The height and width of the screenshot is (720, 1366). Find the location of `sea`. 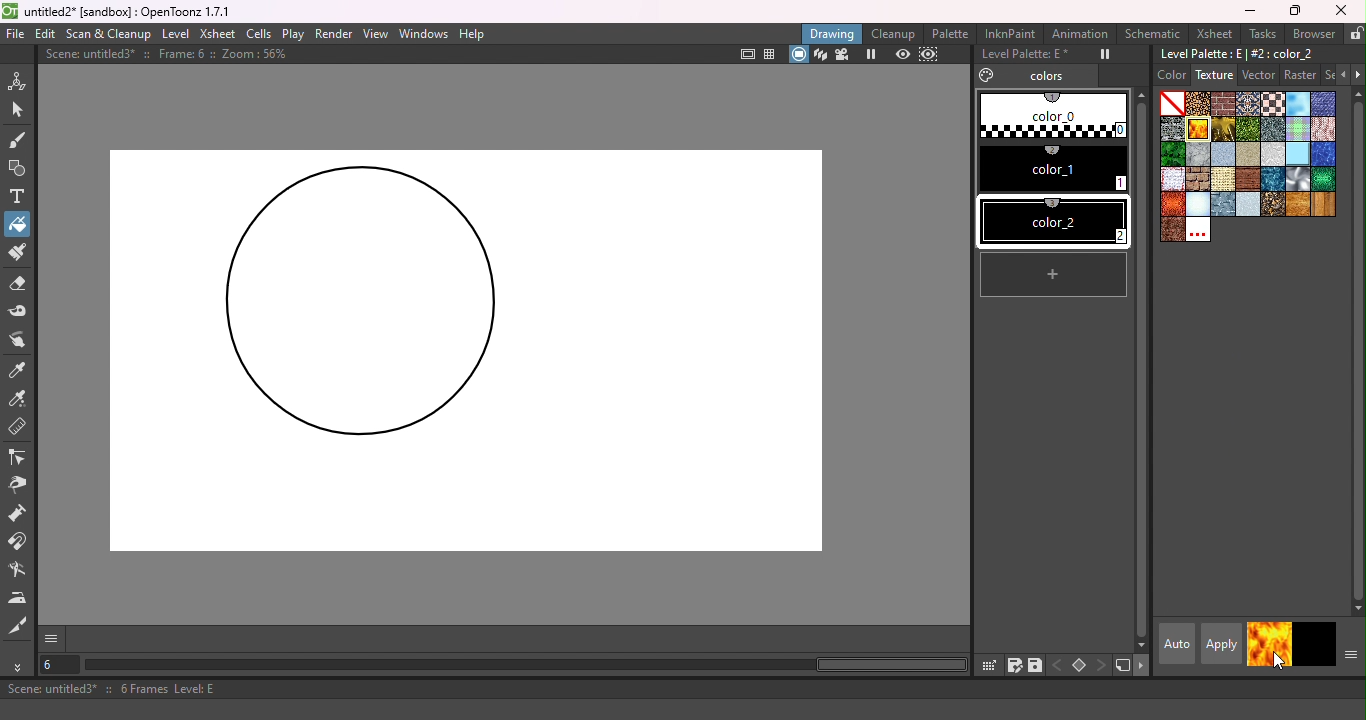

sea is located at coordinates (1273, 179).